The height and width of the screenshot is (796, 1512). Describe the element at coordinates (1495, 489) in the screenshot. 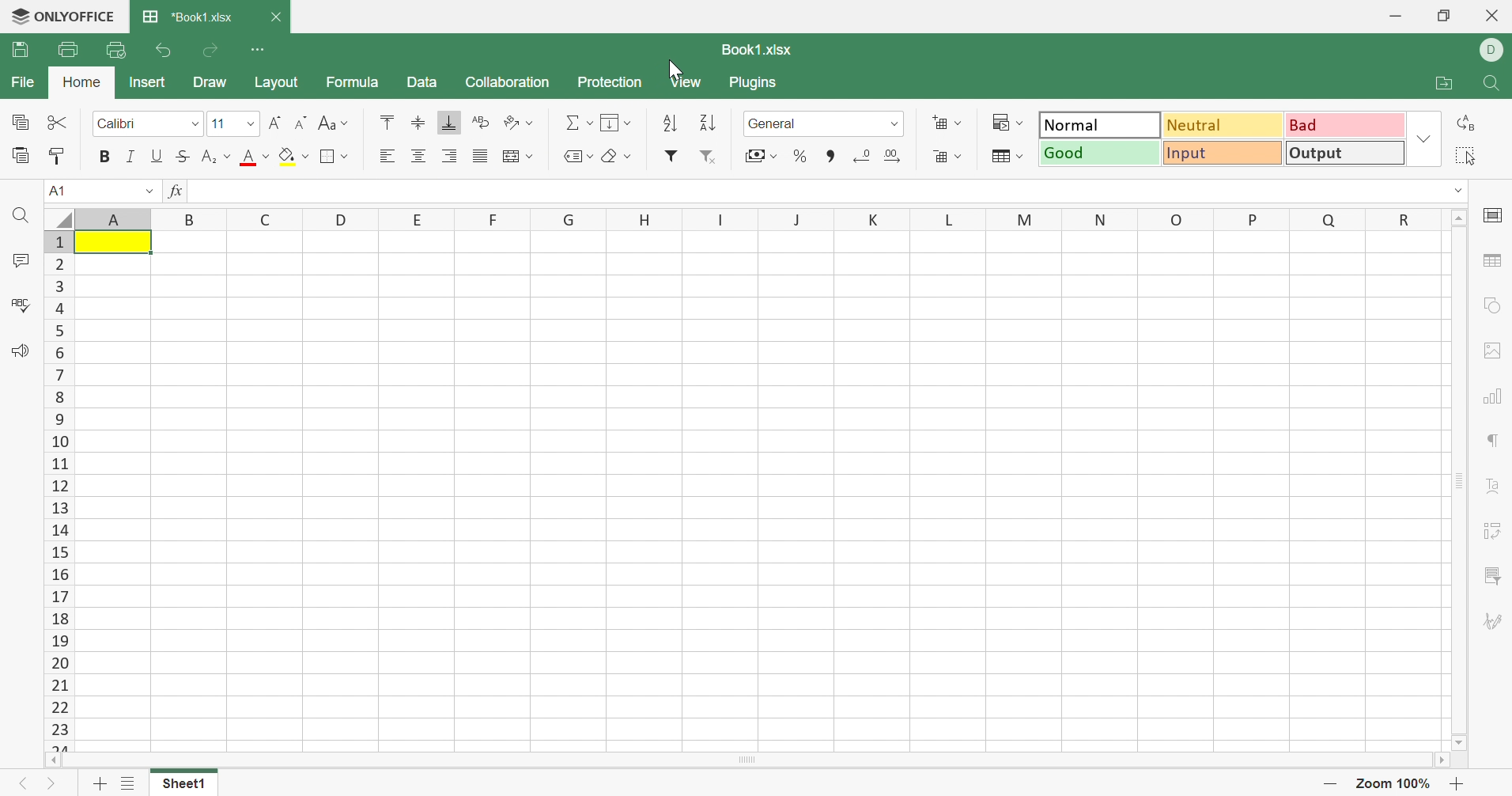

I see `Text Art settings` at that location.